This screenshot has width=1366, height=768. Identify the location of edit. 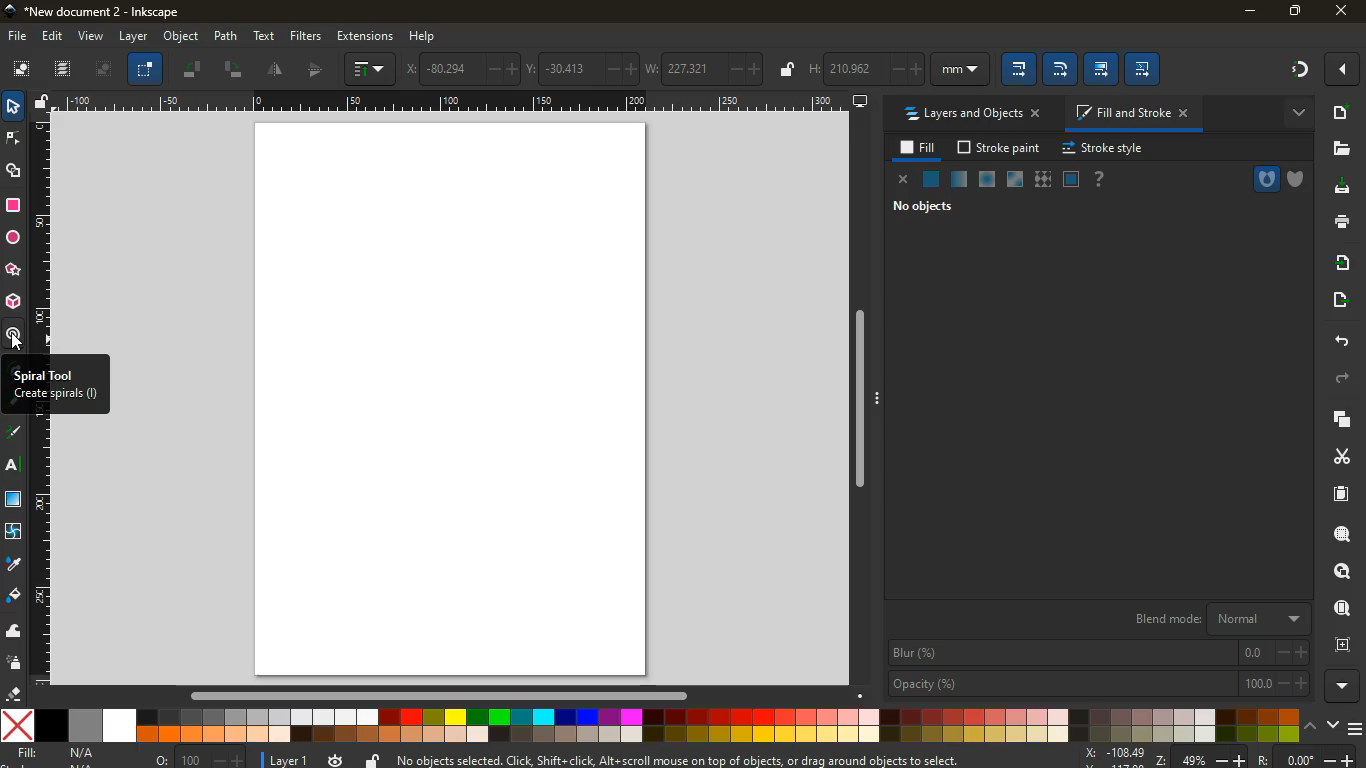
(1061, 68).